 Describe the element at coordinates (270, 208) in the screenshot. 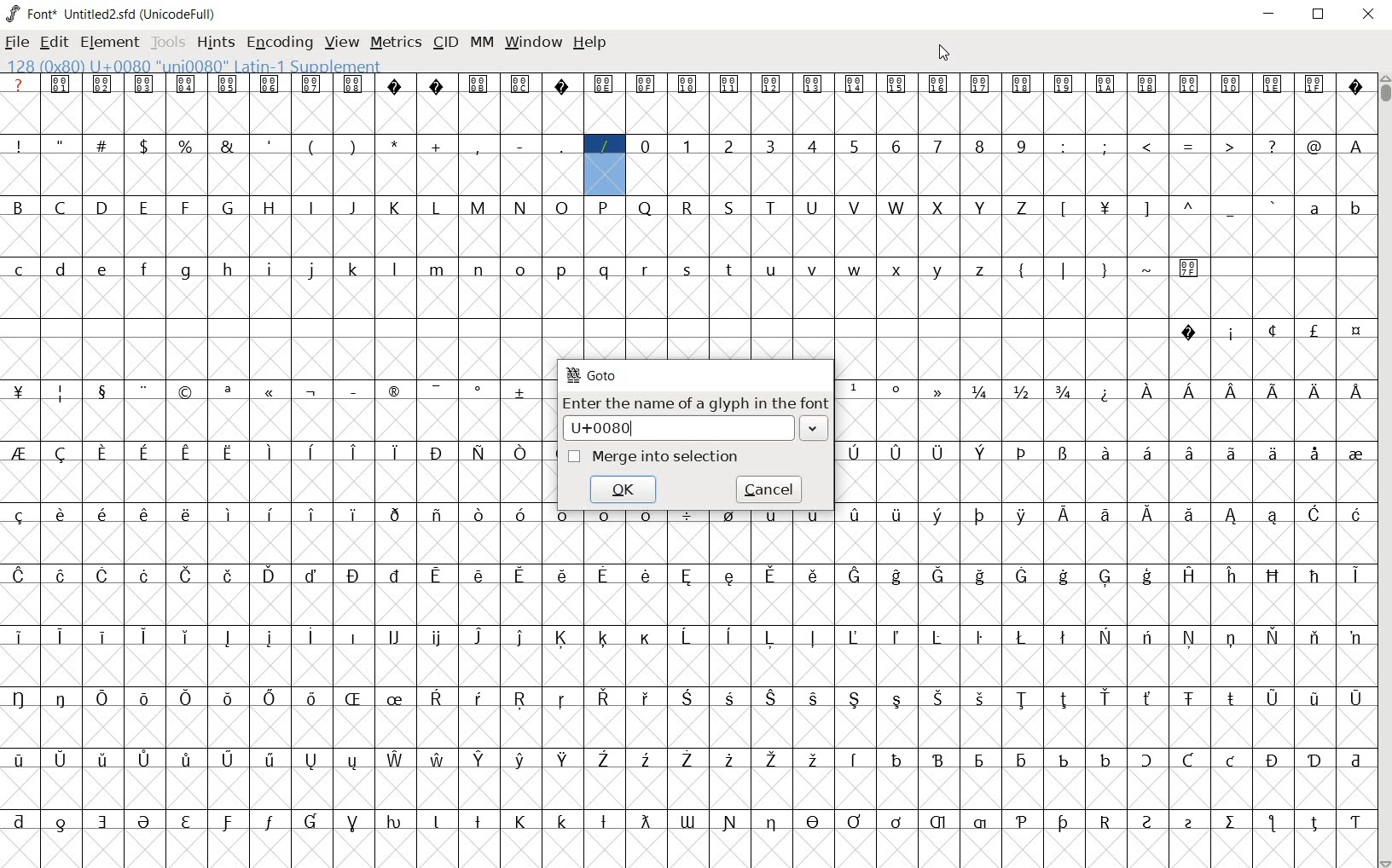

I see `glyph` at that location.